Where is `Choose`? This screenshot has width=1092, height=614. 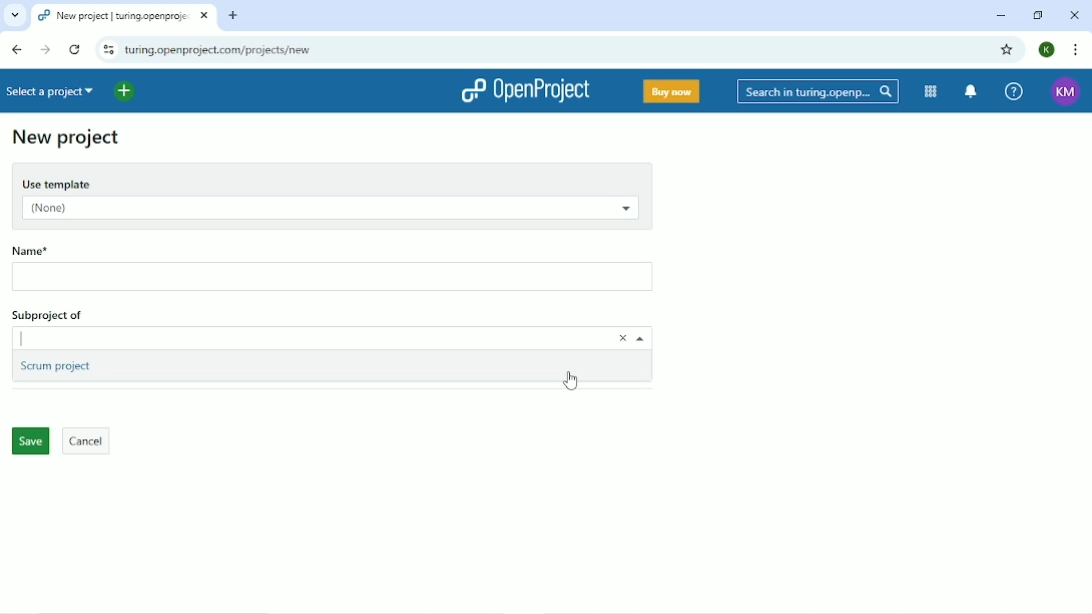
Choose is located at coordinates (642, 339).